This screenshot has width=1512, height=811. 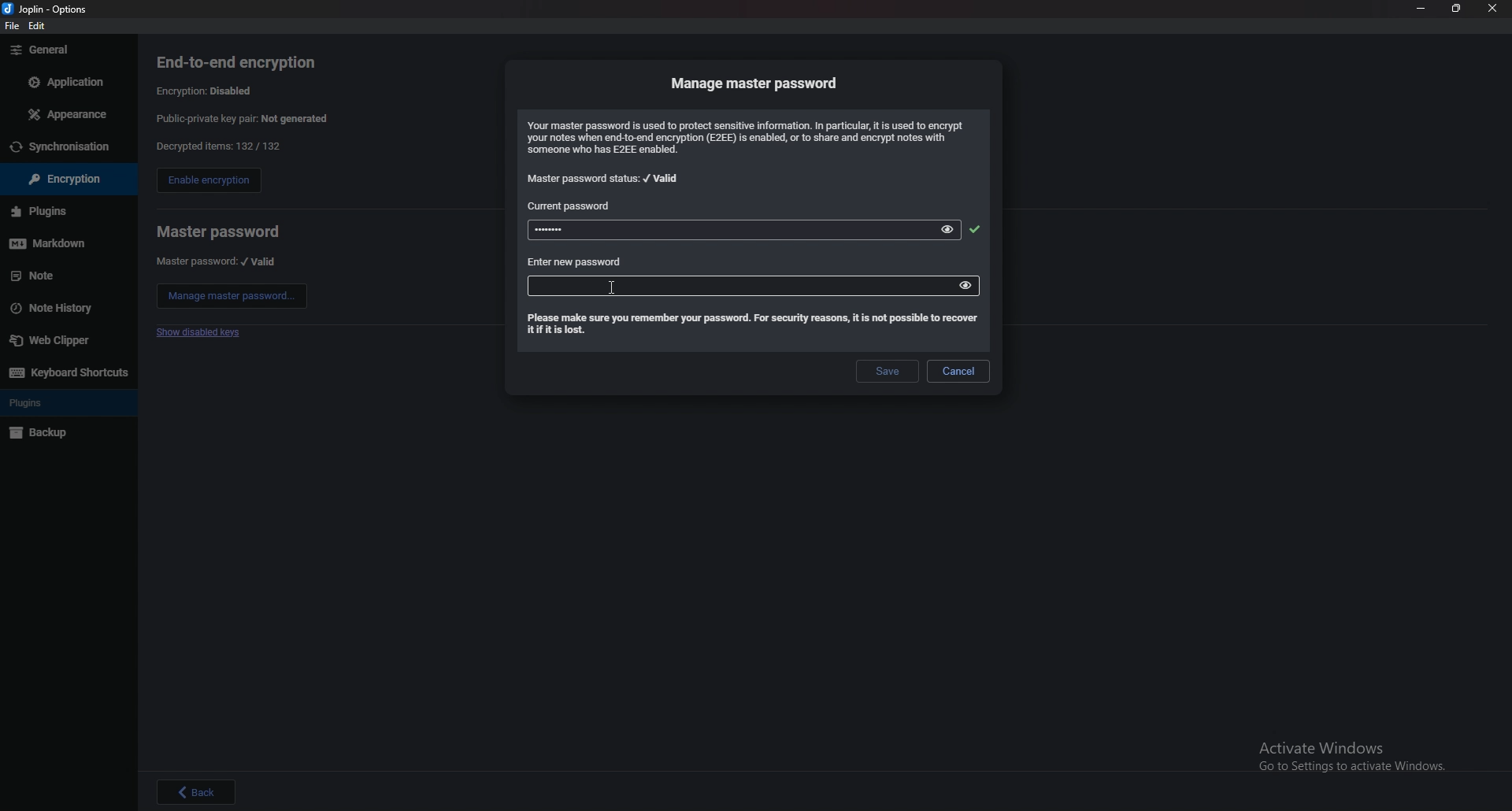 What do you see at coordinates (750, 325) in the screenshot?
I see `info` at bounding box center [750, 325].